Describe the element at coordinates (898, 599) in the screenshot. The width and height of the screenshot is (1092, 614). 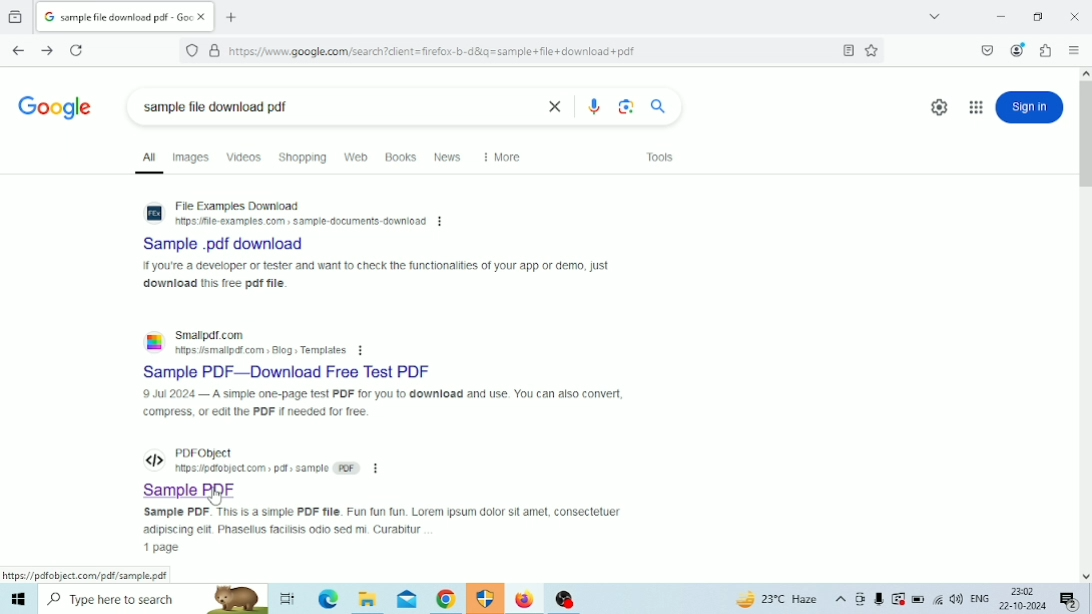
I see `Warning` at that location.